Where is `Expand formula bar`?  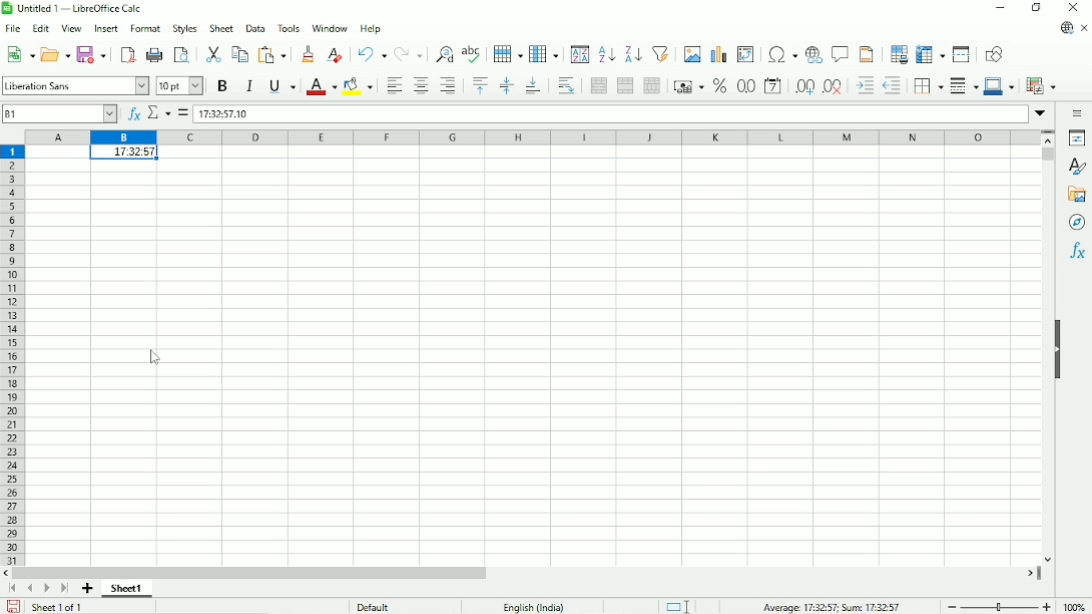
Expand formula bar is located at coordinates (1040, 114).